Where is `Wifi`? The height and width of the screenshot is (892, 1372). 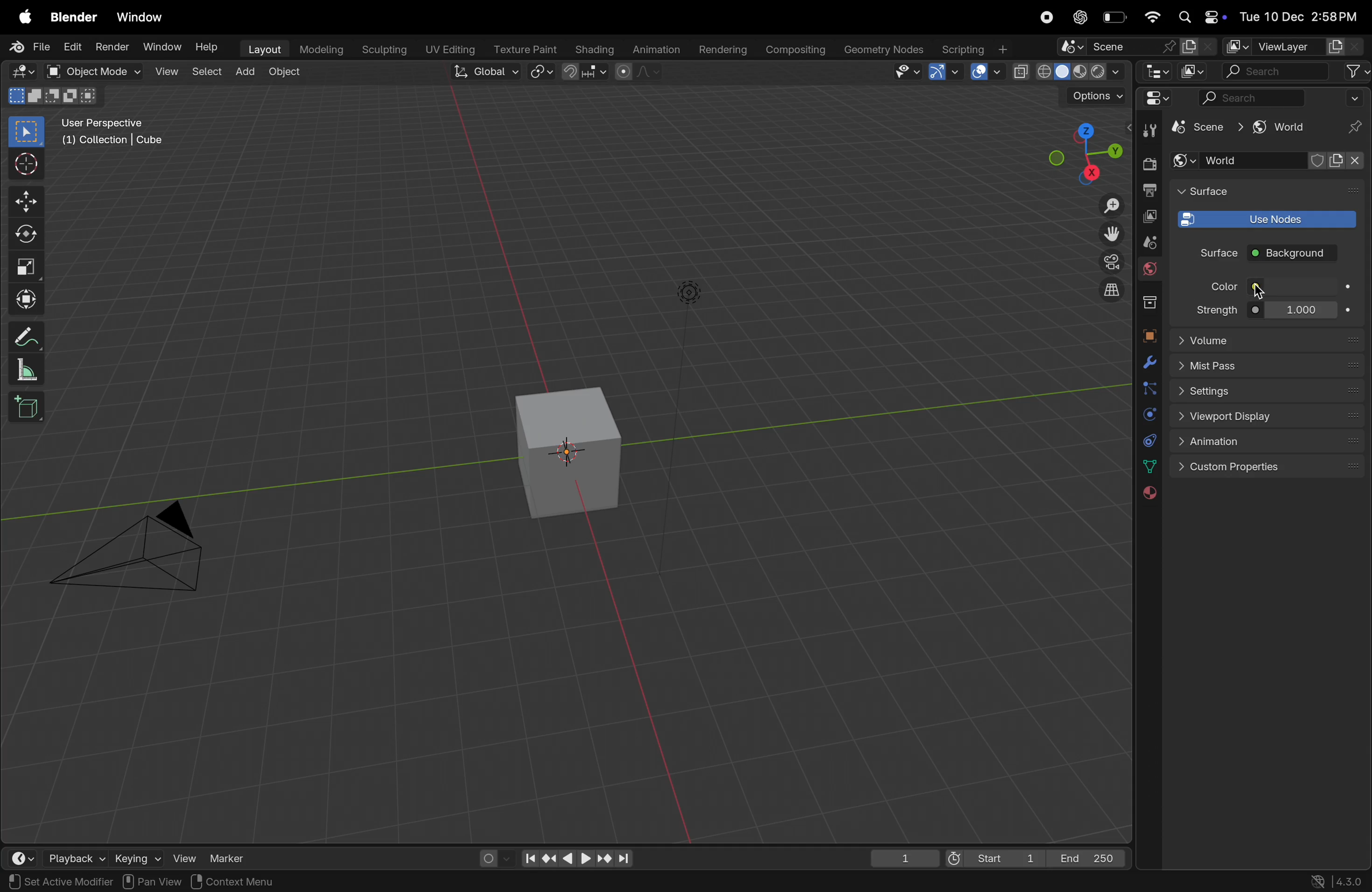
Wifi is located at coordinates (1152, 18).